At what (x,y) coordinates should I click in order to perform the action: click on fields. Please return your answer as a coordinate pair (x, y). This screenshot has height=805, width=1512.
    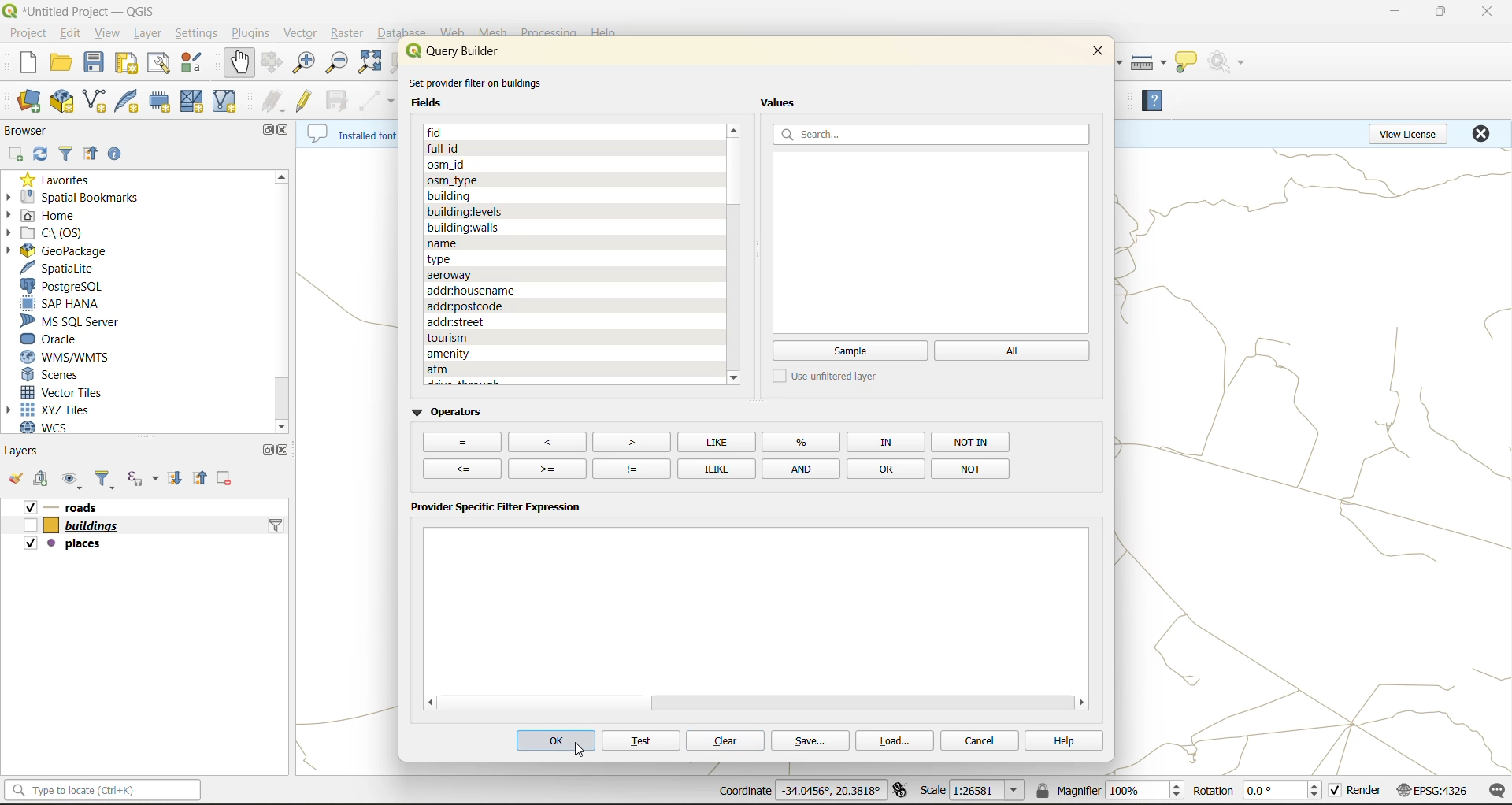
    Looking at the image, I should click on (480, 352).